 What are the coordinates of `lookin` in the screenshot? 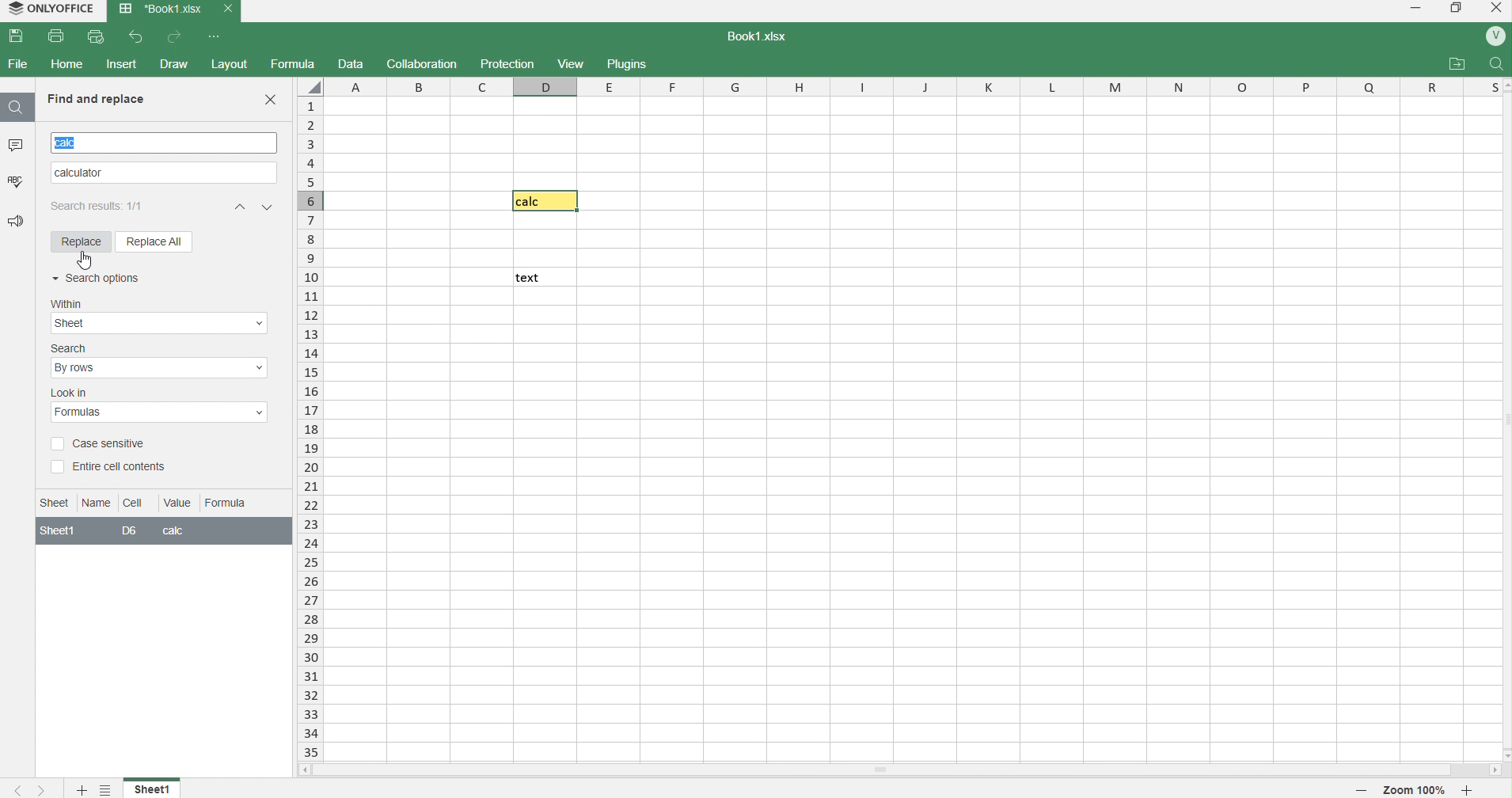 It's located at (75, 393).